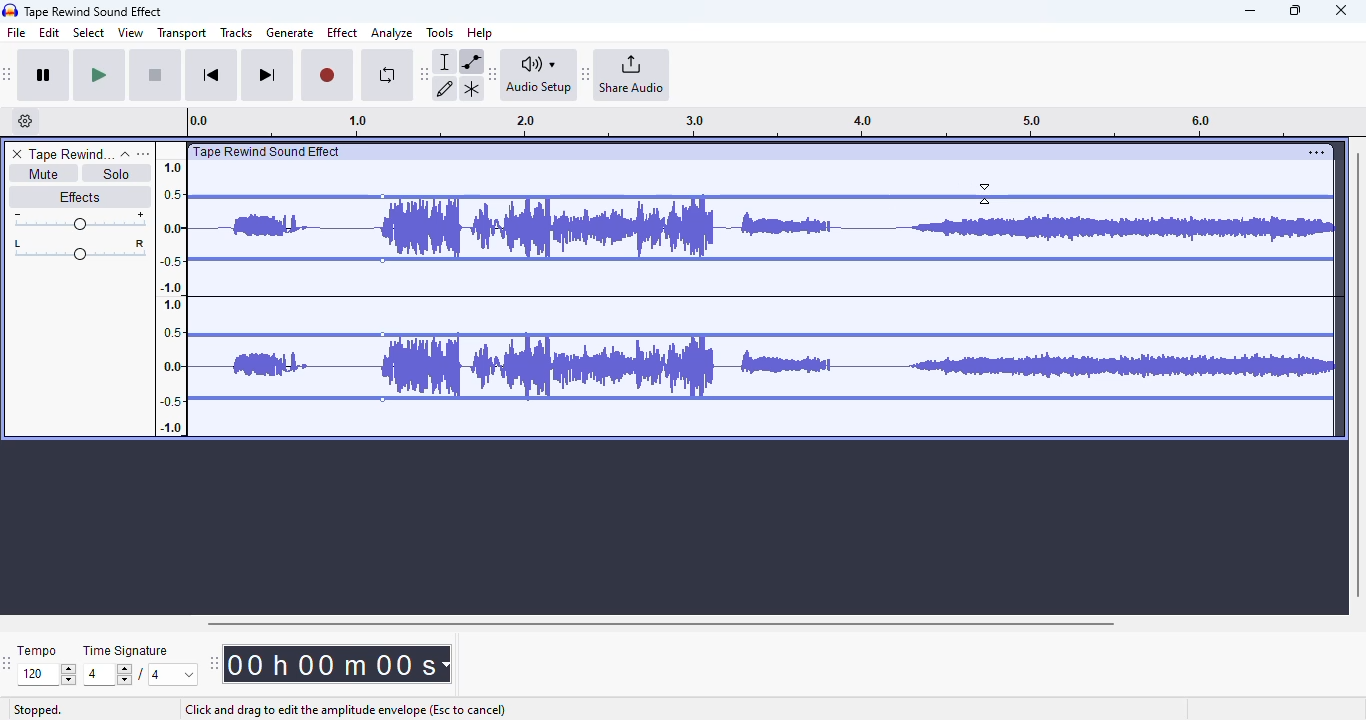 Image resolution: width=1366 pixels, height=720 pixels. Describe the element at coordinates (539, 74) in the screenshot. I see `audio setup` at that location.